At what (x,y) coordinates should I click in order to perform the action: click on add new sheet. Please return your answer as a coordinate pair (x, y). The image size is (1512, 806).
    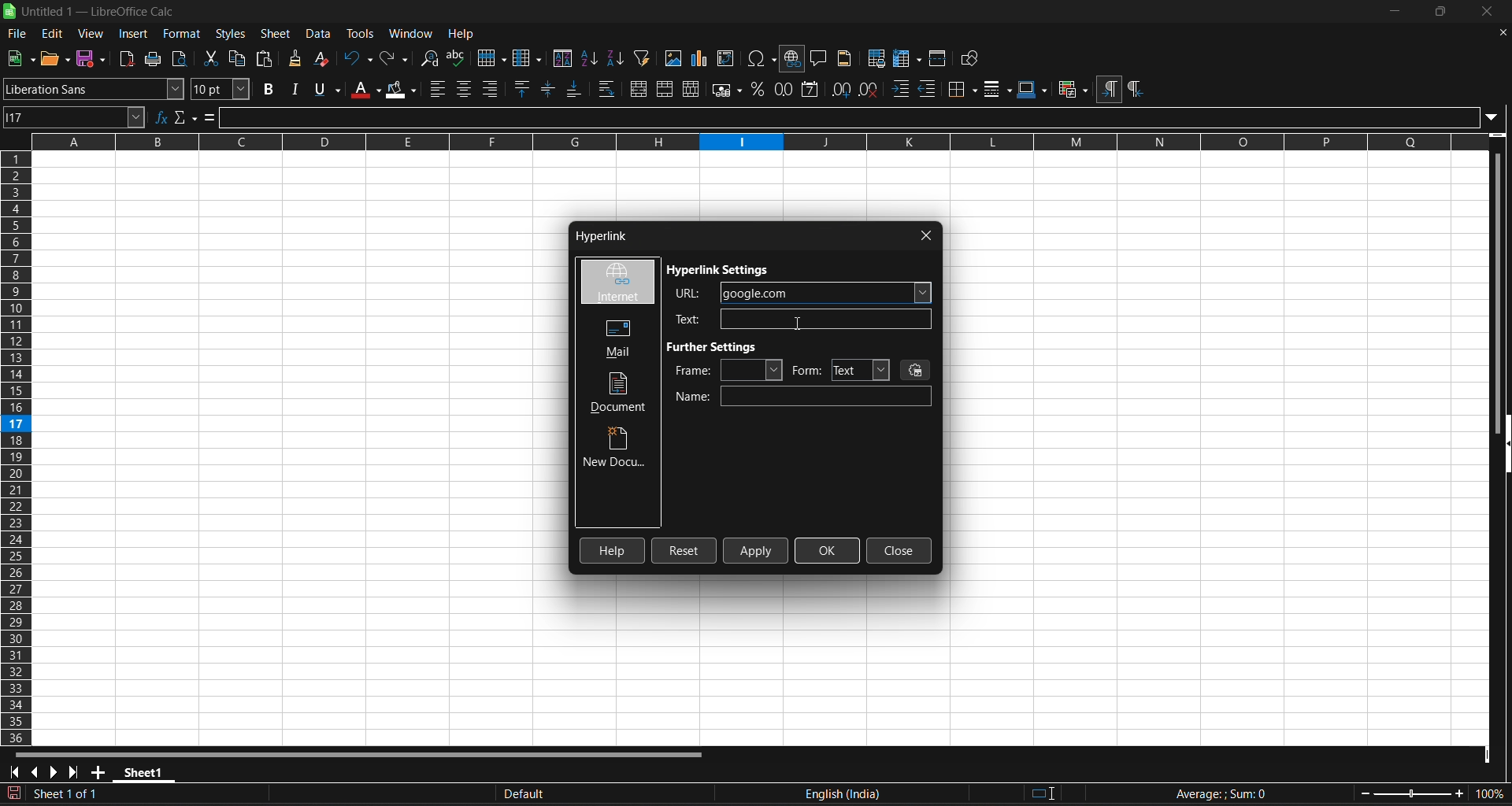
    Looking at the image, I should click on (97, 772).